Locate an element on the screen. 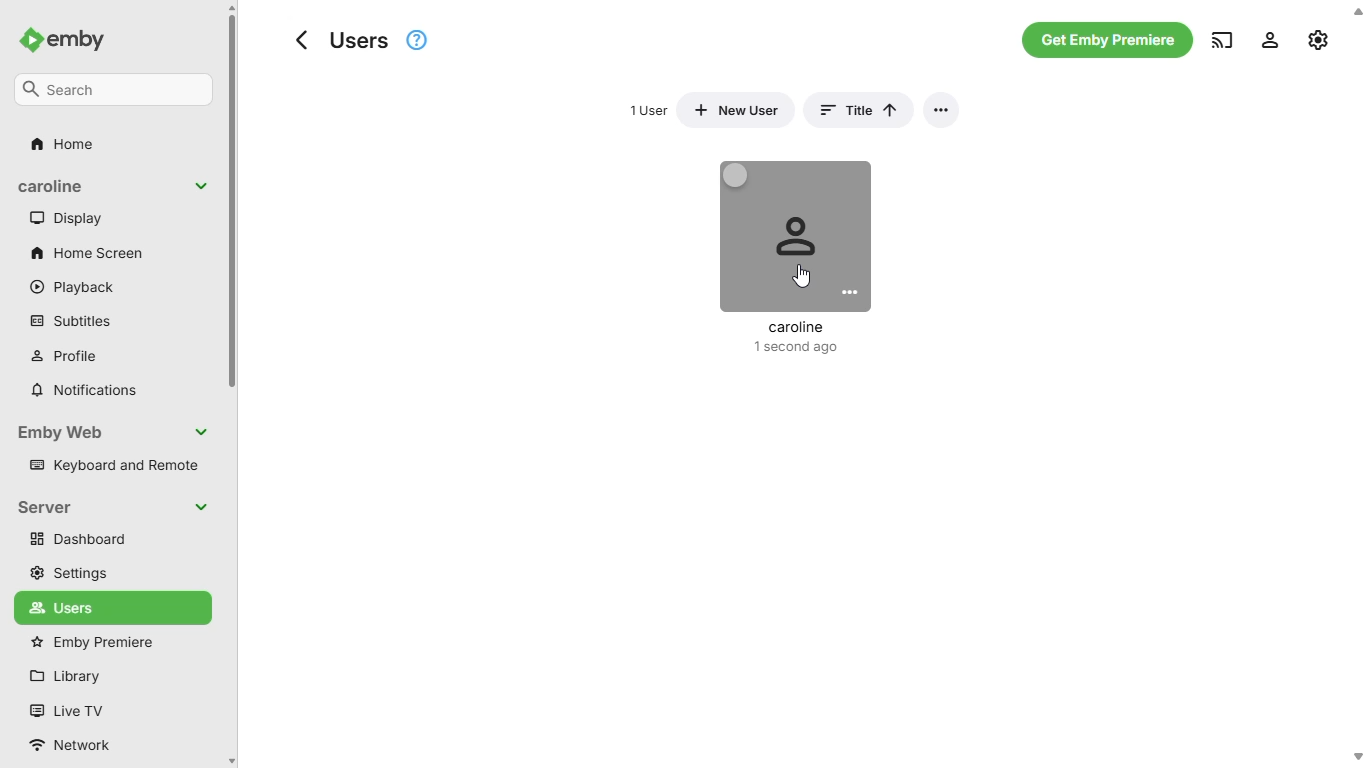 The height and width of the screenshot is (768, 1366). users is located at coordinates (82, 607).